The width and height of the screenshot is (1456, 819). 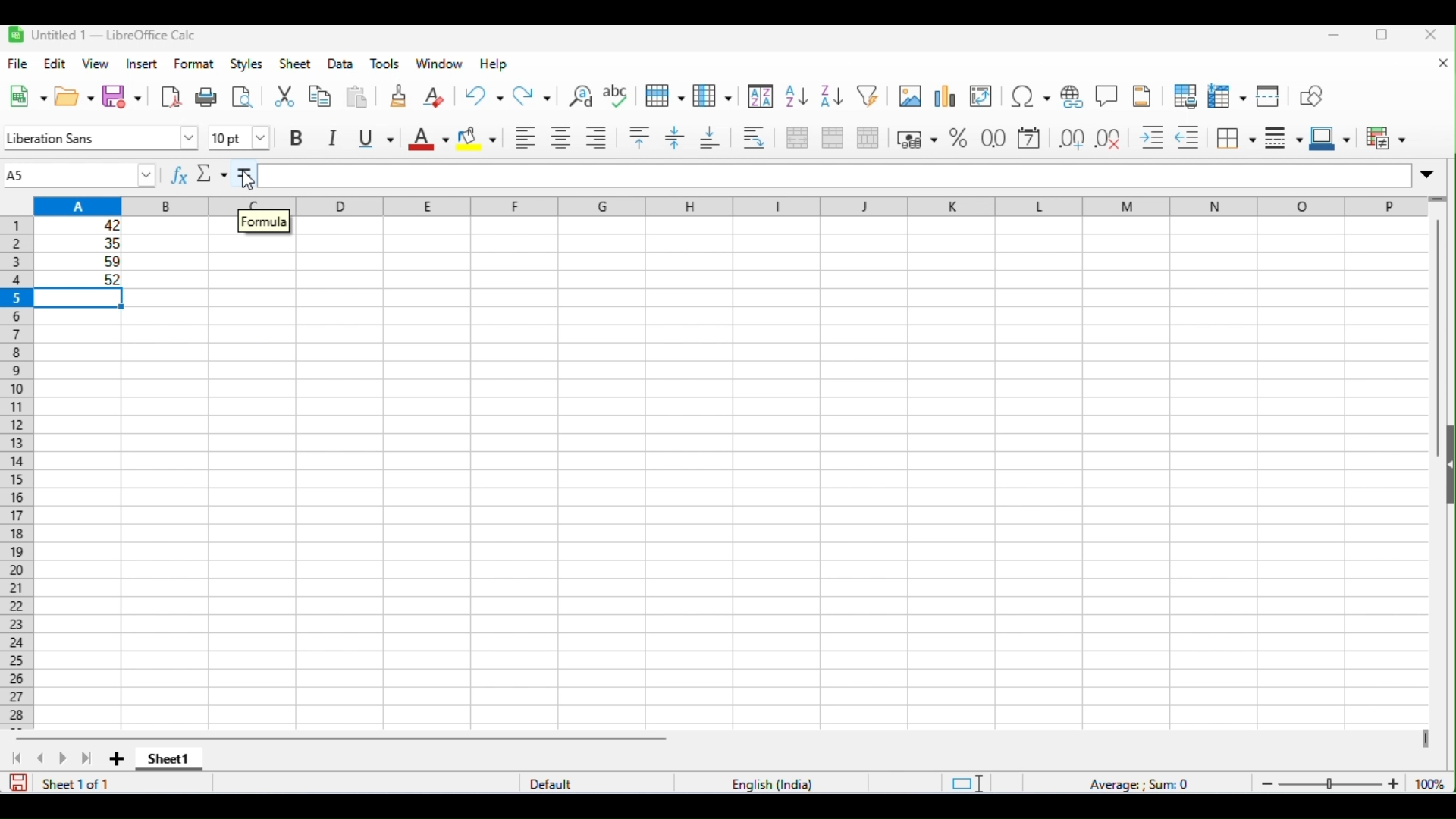 I want to click on delete decimal place, so click(x=1109, y=137).